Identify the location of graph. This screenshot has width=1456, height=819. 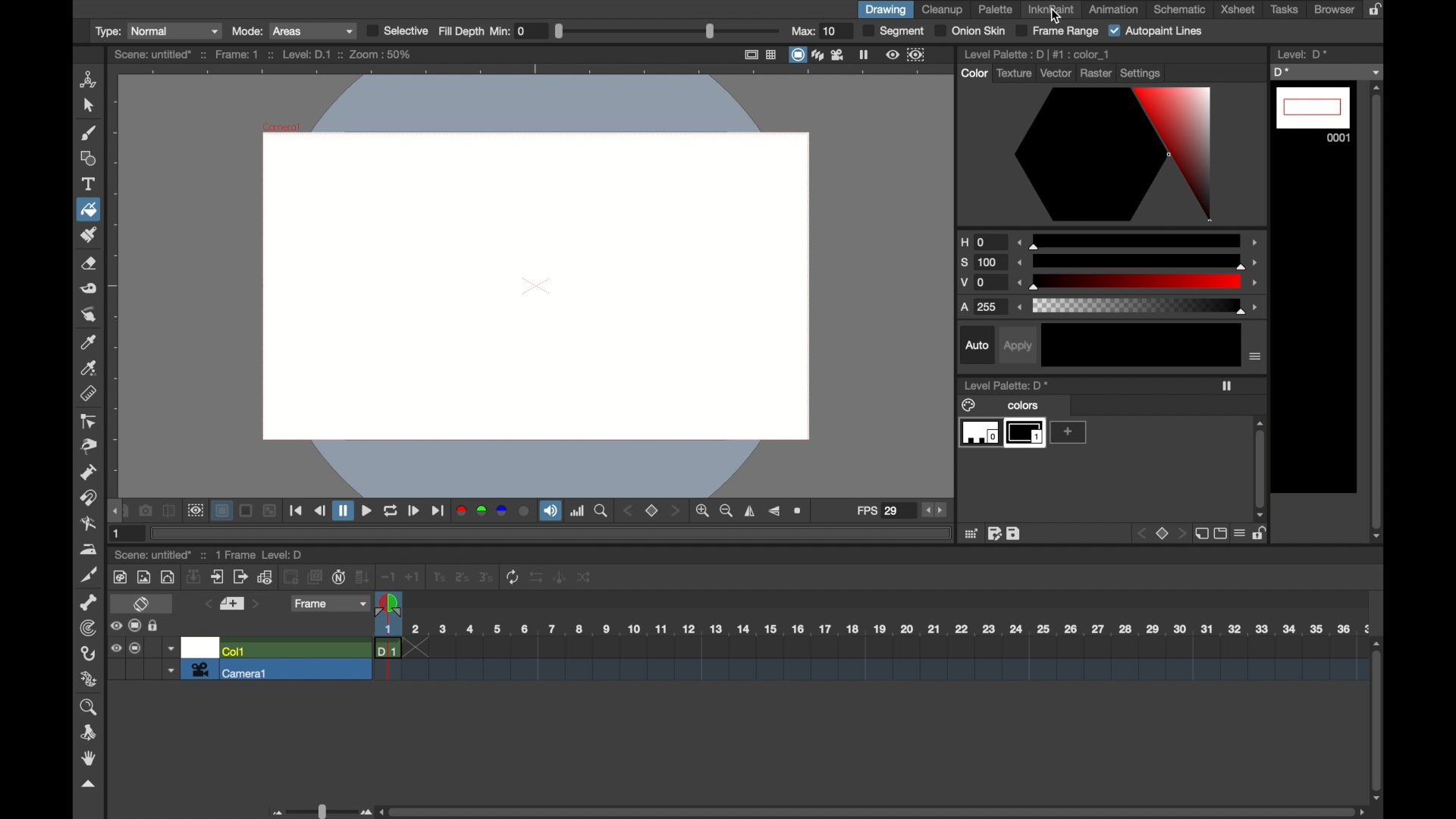
(265, 577).